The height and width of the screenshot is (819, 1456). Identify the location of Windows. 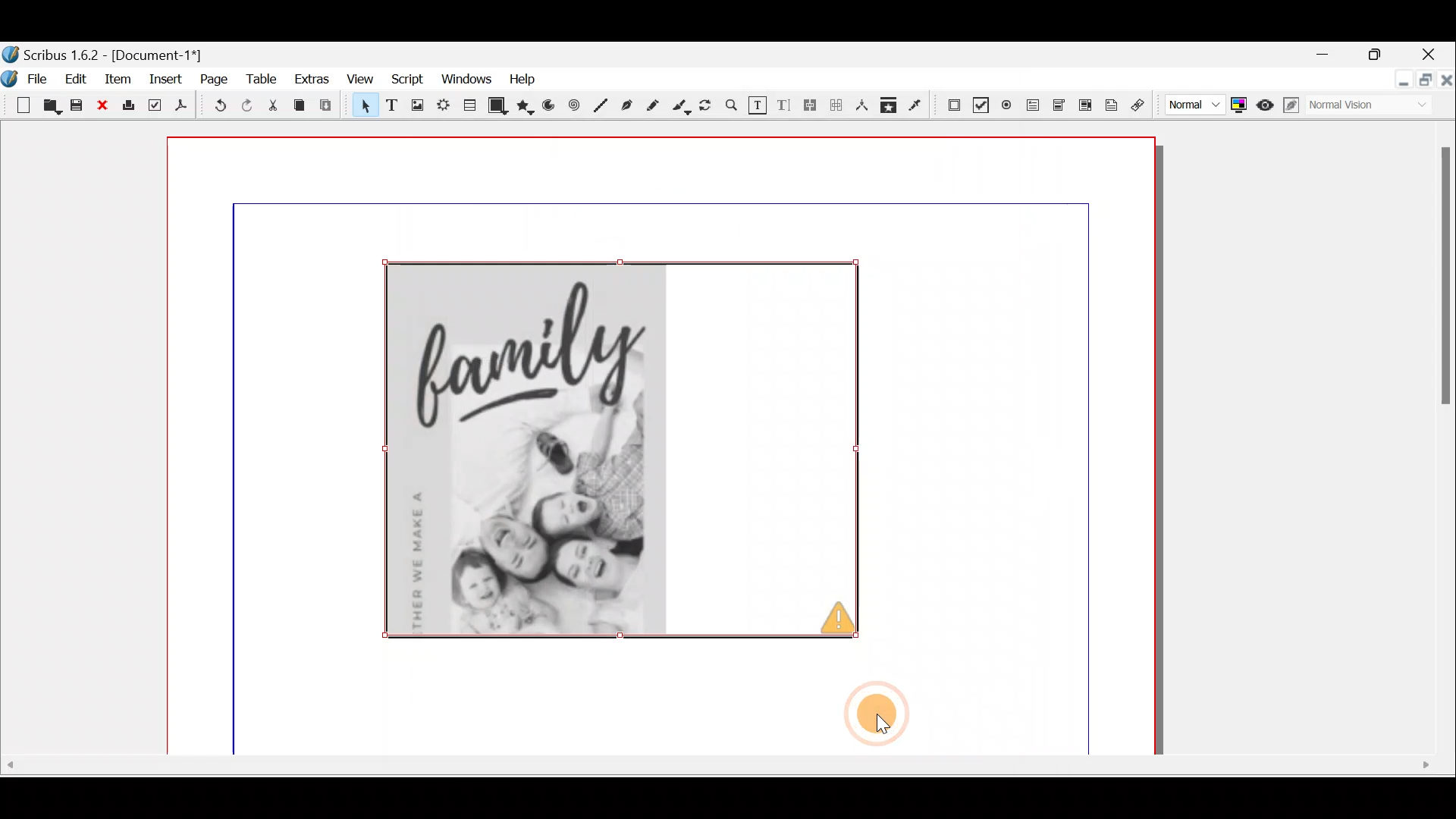
(468, 79).